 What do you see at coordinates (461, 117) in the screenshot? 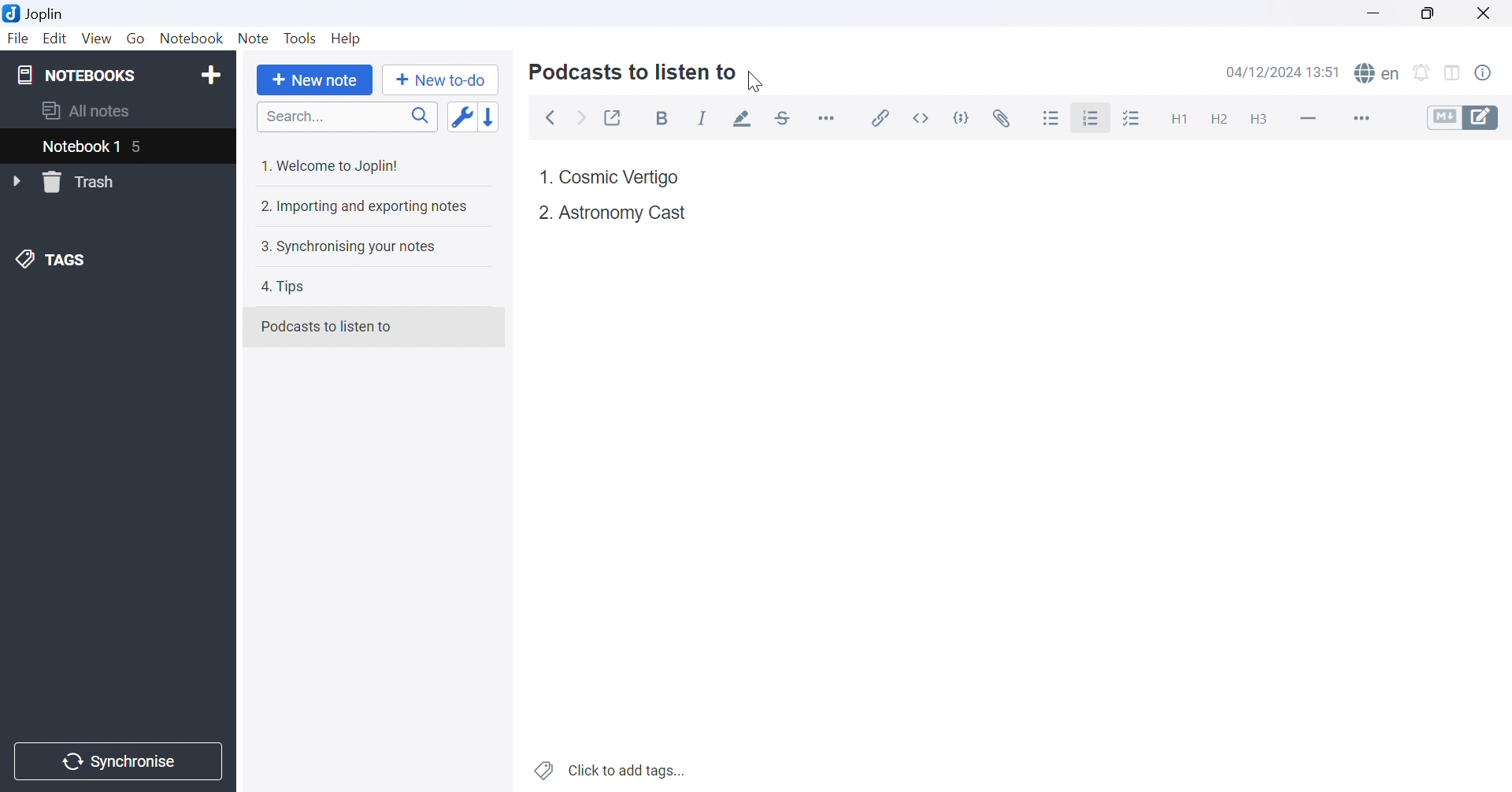
I see `Toggle sort order field` at bounding box center [461, 117].